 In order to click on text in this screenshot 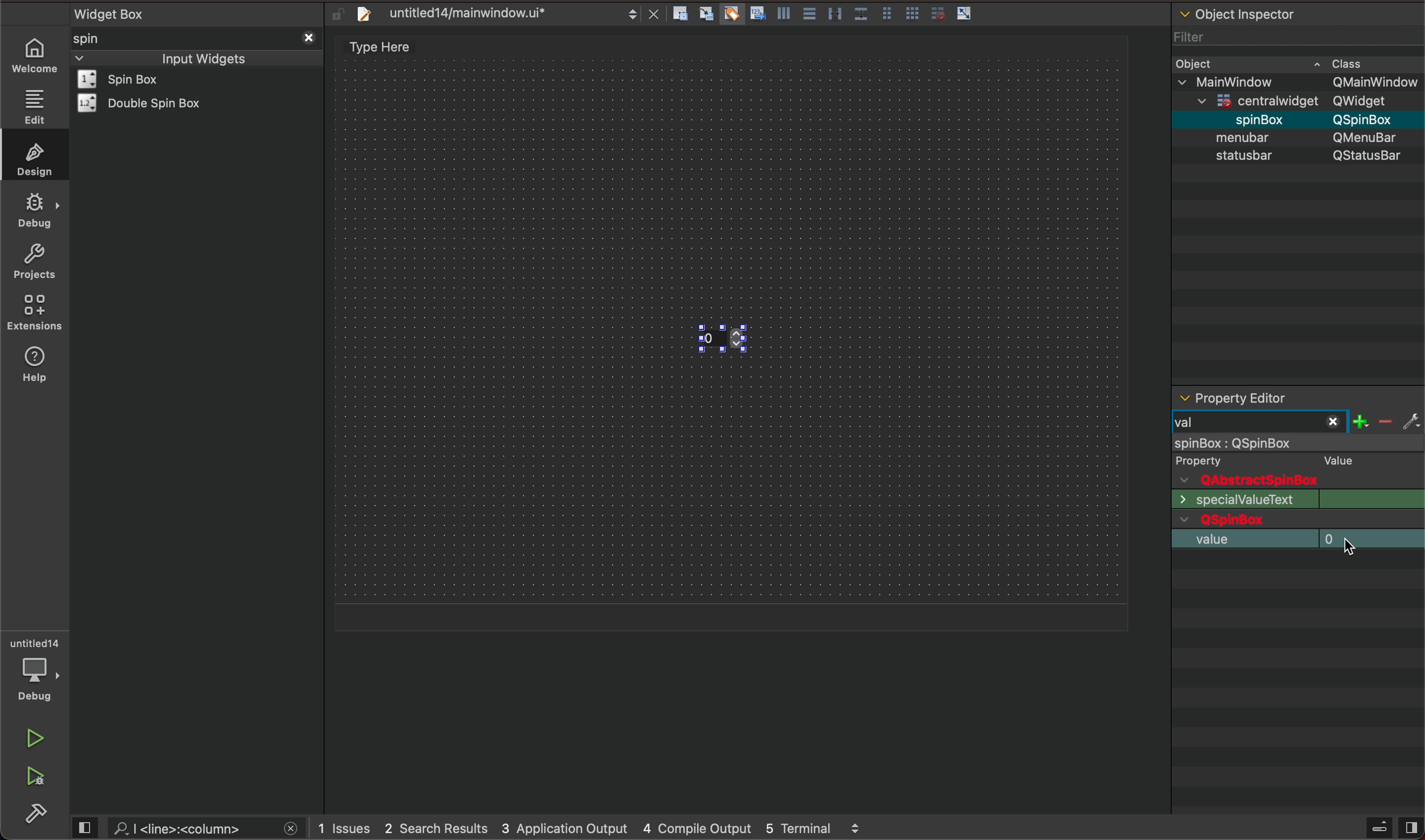, I will do `click(1334, 460)`.